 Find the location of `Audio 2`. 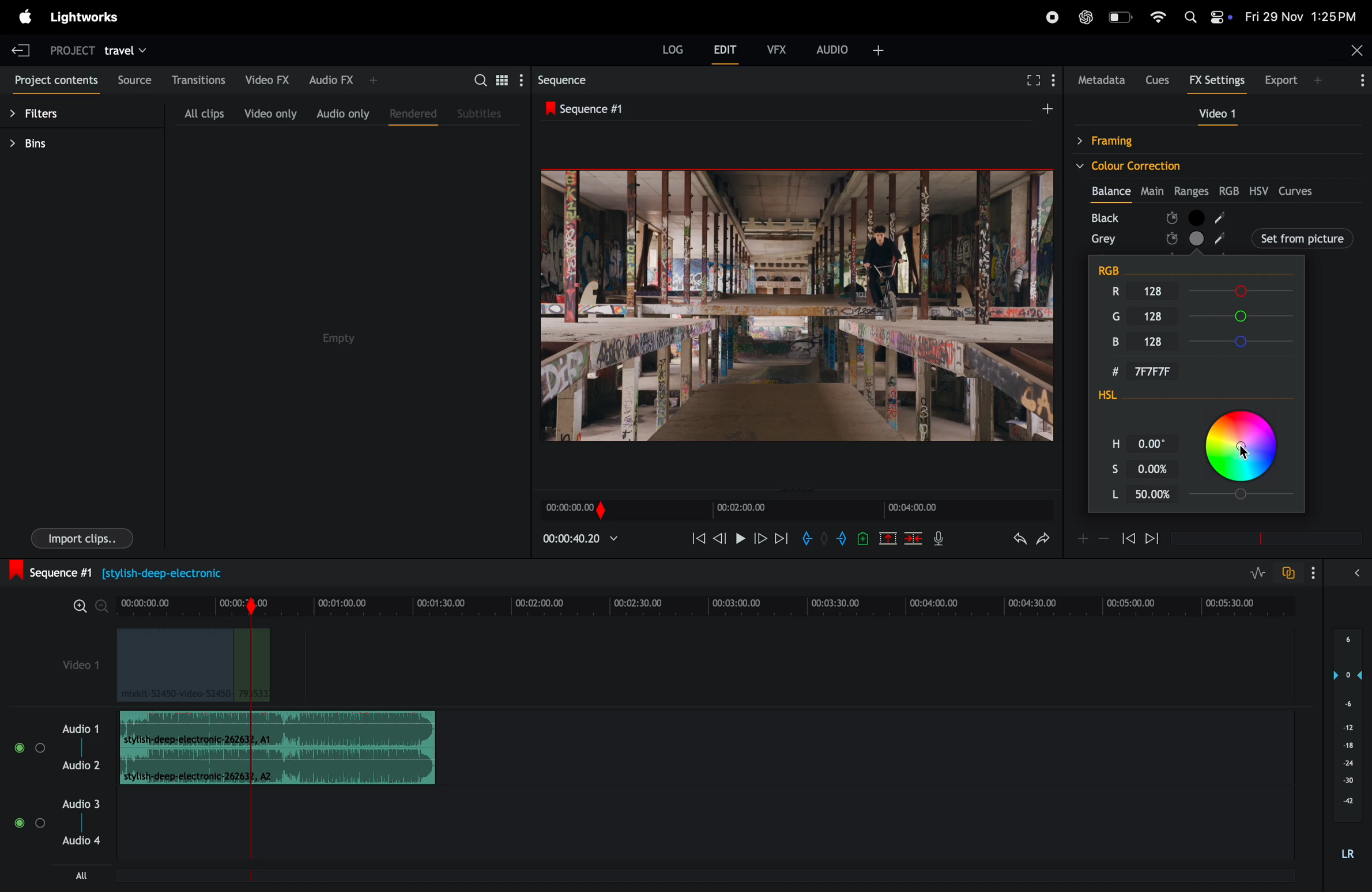

Audio 2 is located at coordinates (81, 765).